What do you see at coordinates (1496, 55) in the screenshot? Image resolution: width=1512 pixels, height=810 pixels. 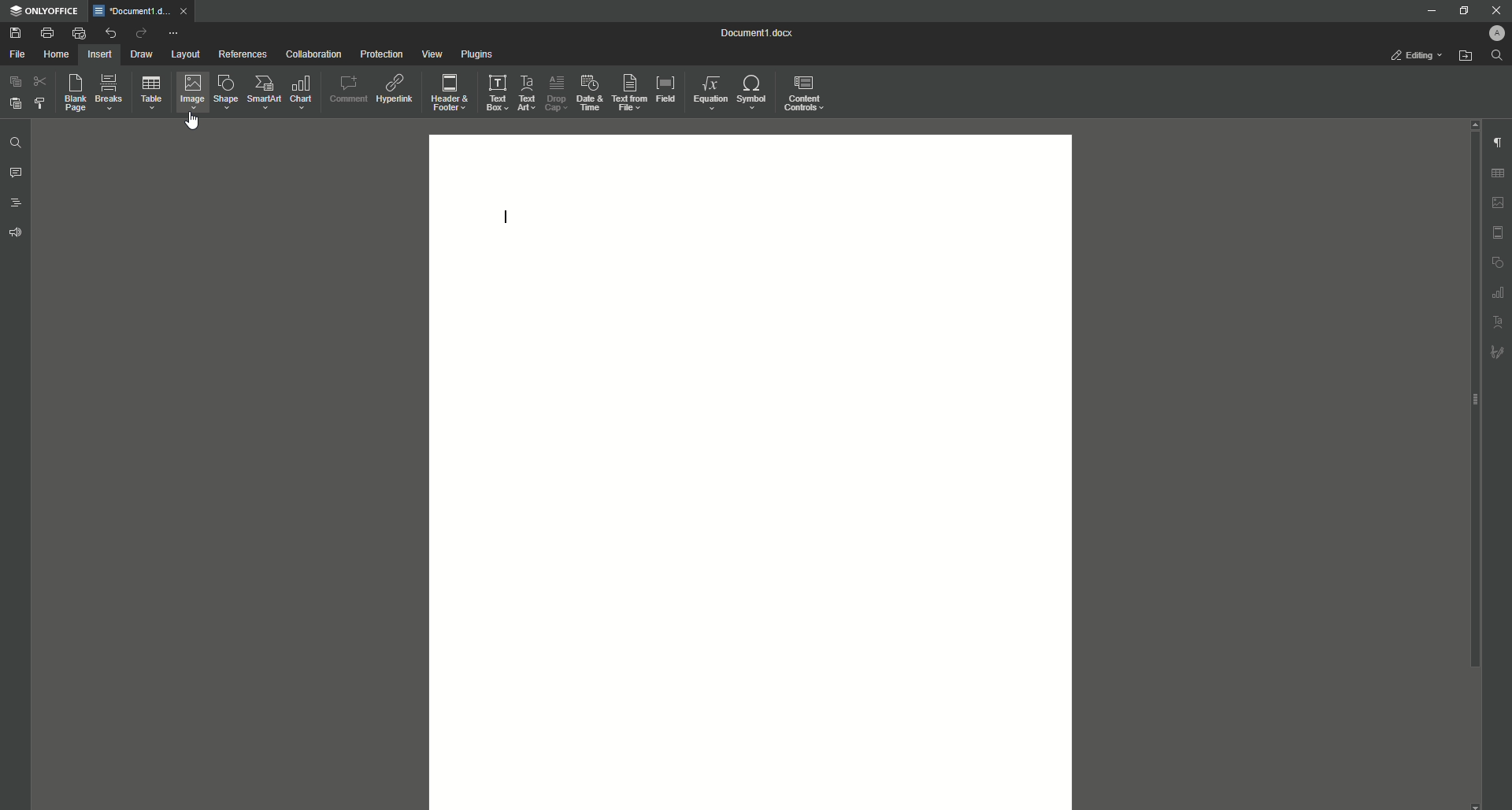 I see `Find` at bounding box center [1496, 55].